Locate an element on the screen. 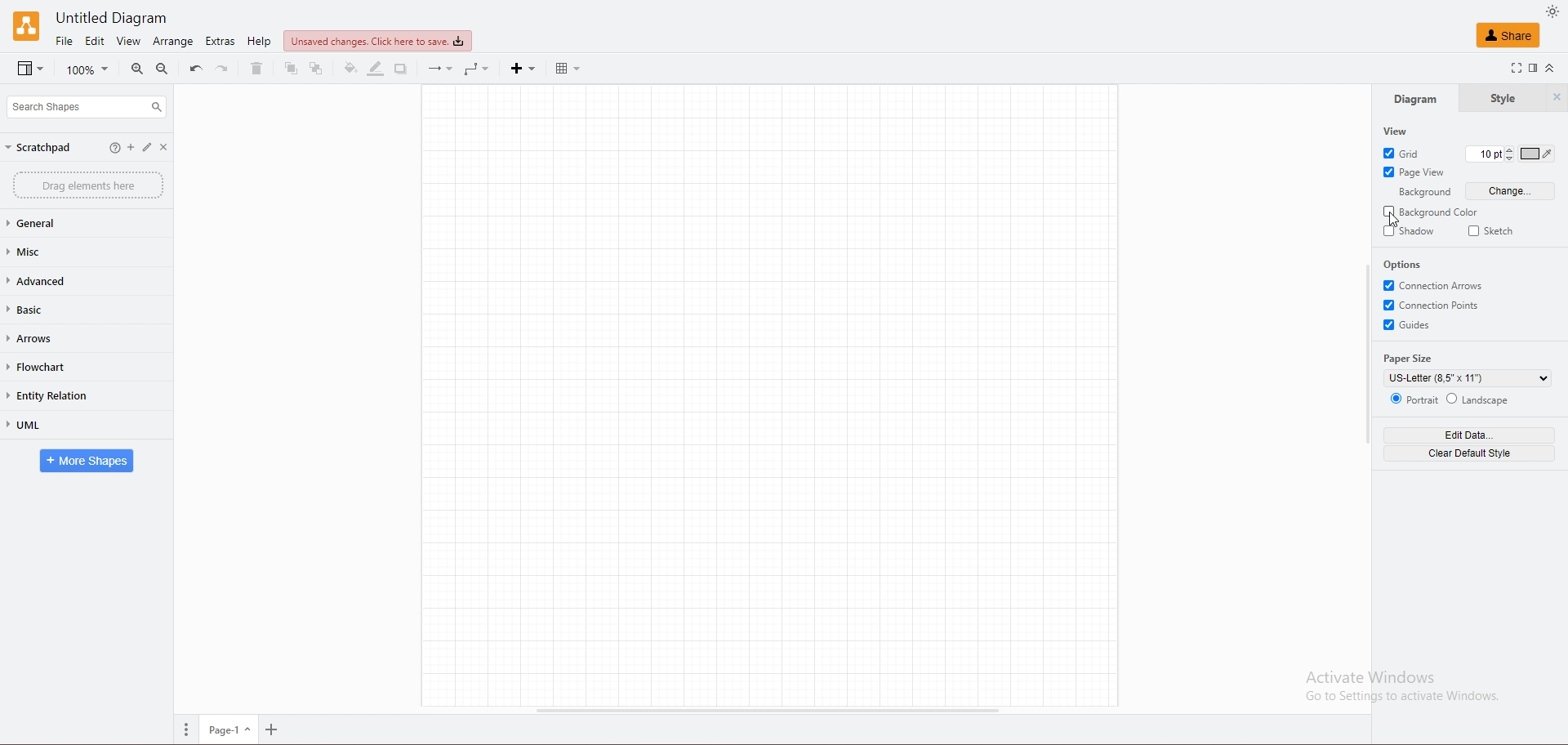  to back is located at coordinates (317, 69).